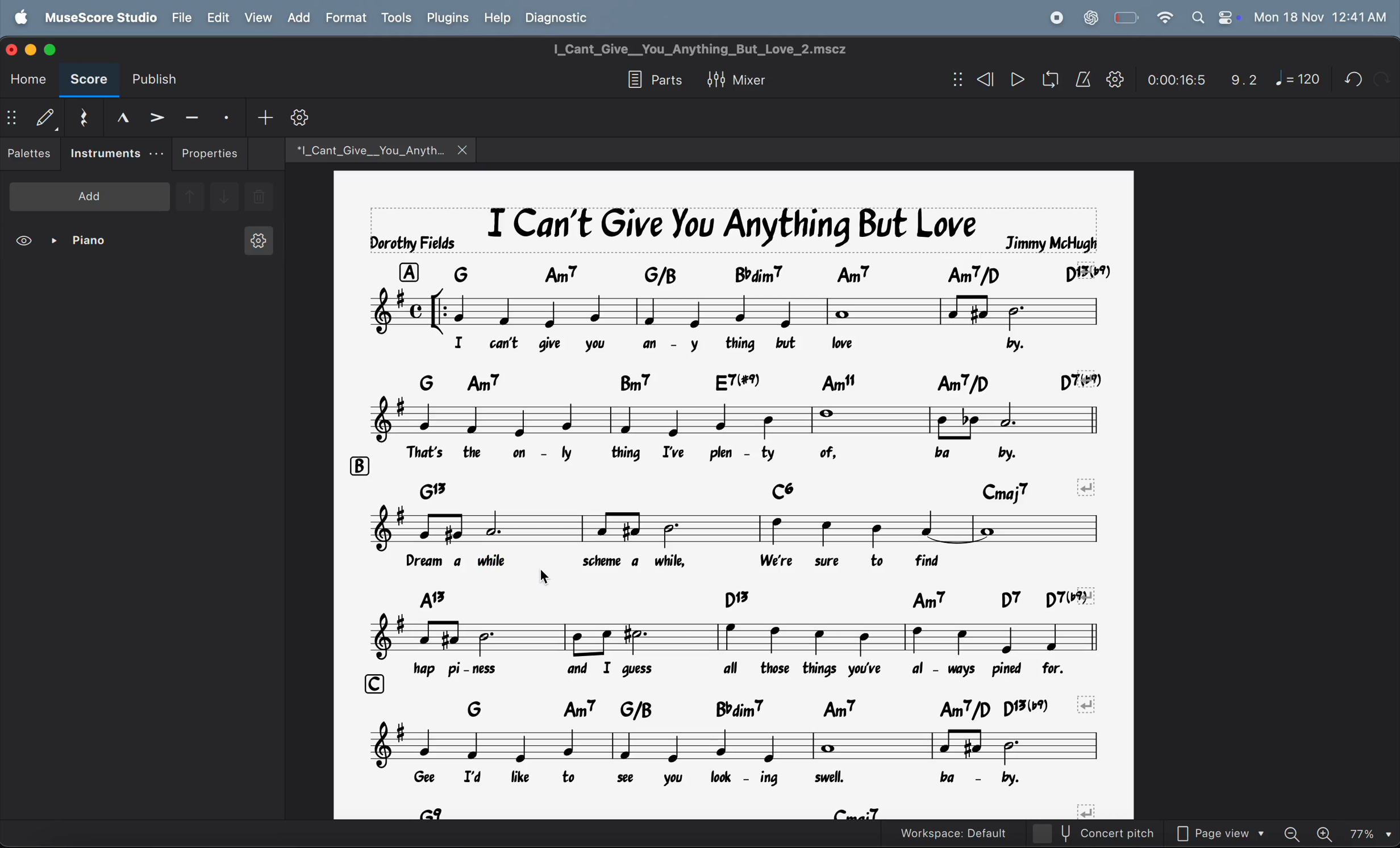 The height and width of the screenshot is (848, 1400). What do you see at coordinates (1293, 832) in the screenshot?
I see `zoom out` at bounding box center [1293, 832].